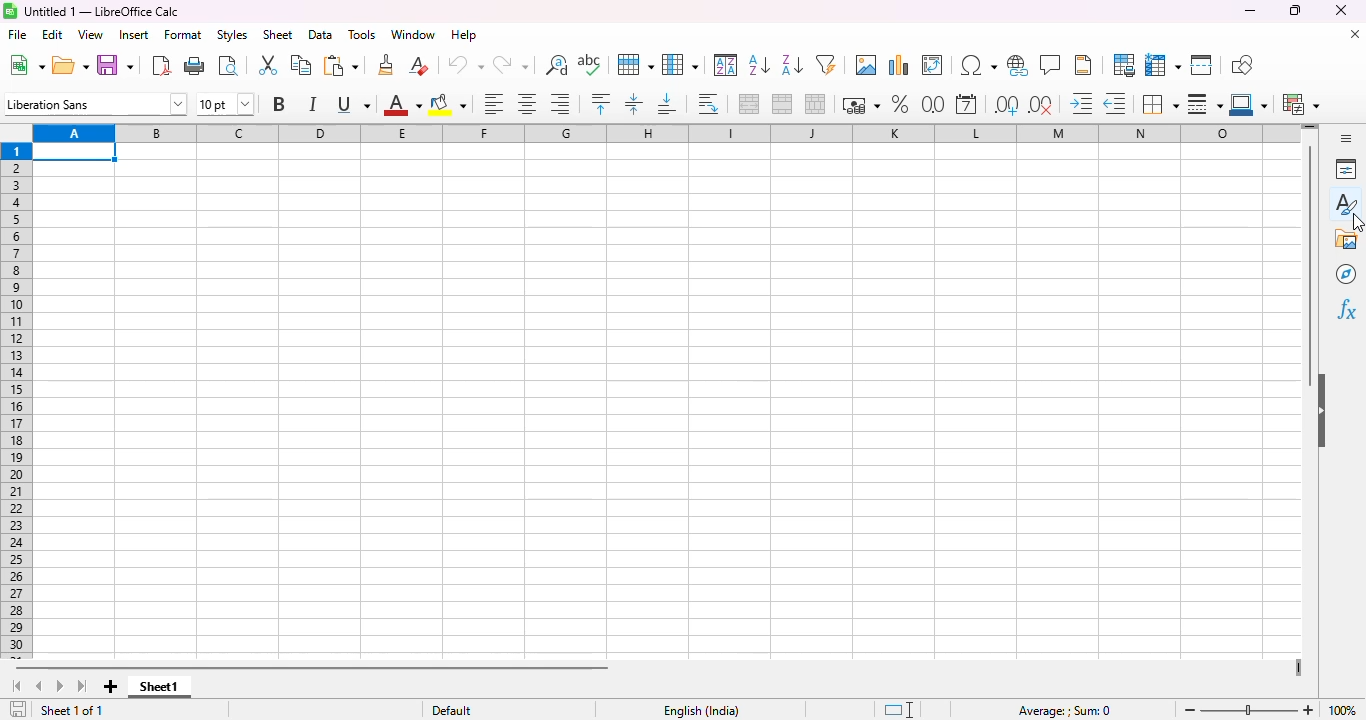 The width and height of the screenshot is (1366, 720). Describe the element at coordinates (655, 133) in the screenshot. I see `columns` at that location.